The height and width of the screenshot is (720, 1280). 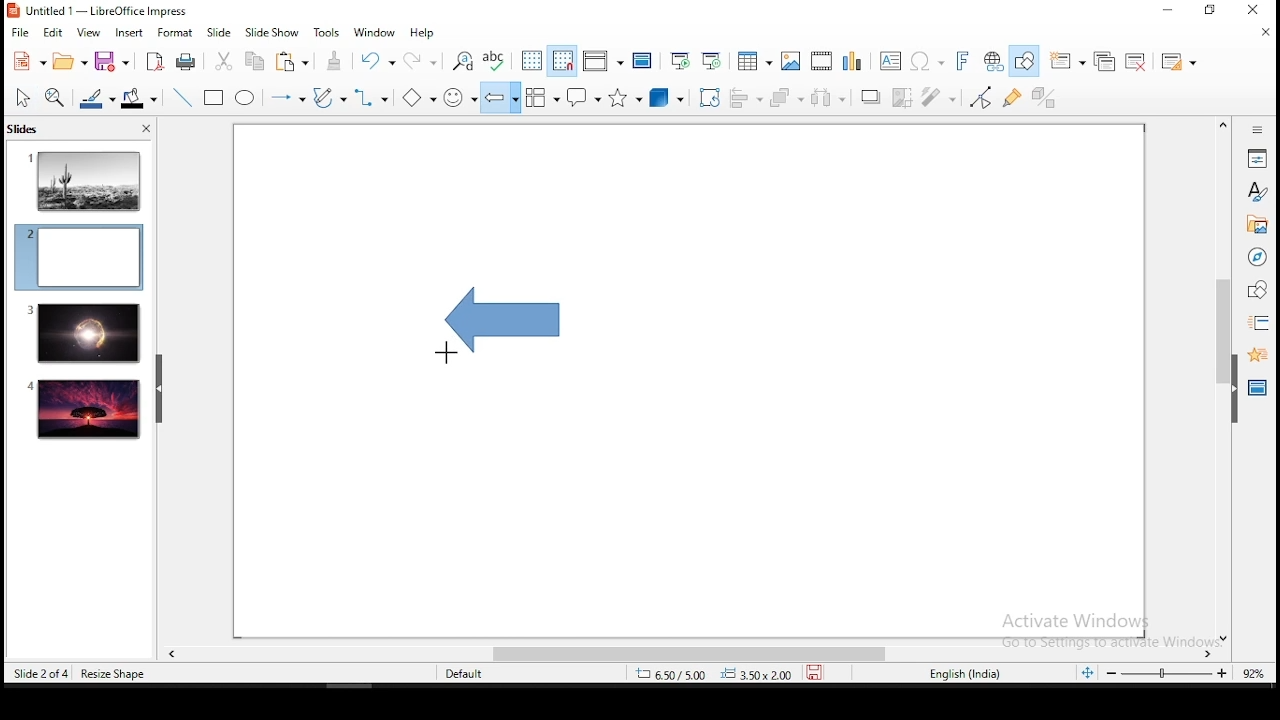 What do you see at coordinates (1017, 97) in the screenshot?
I see `show gluepoint functions` at bounding box center [1017, 97].